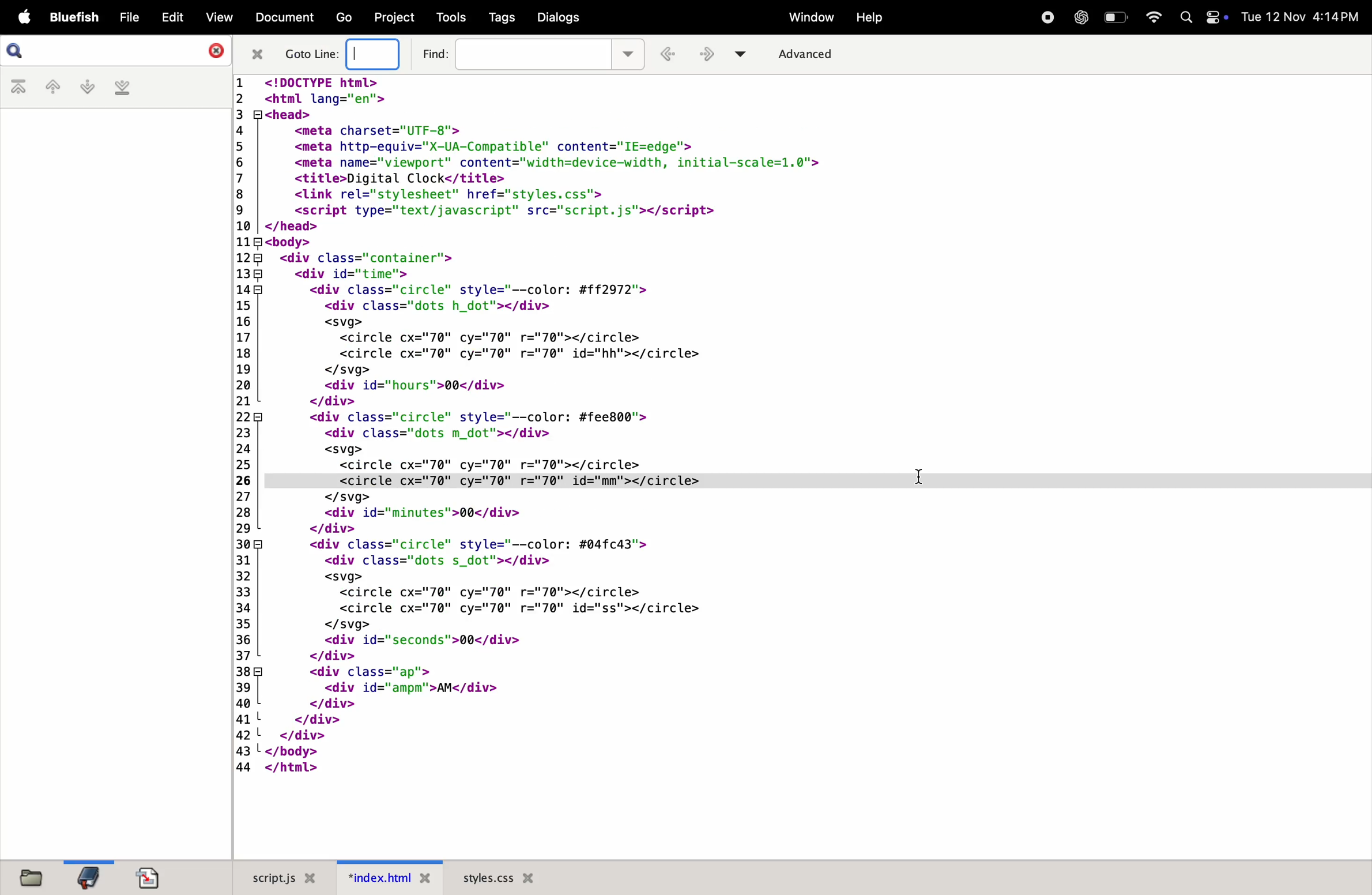 The height and width of the screenshot is (895, 1372). I want to click on forward, so click(710, 55).